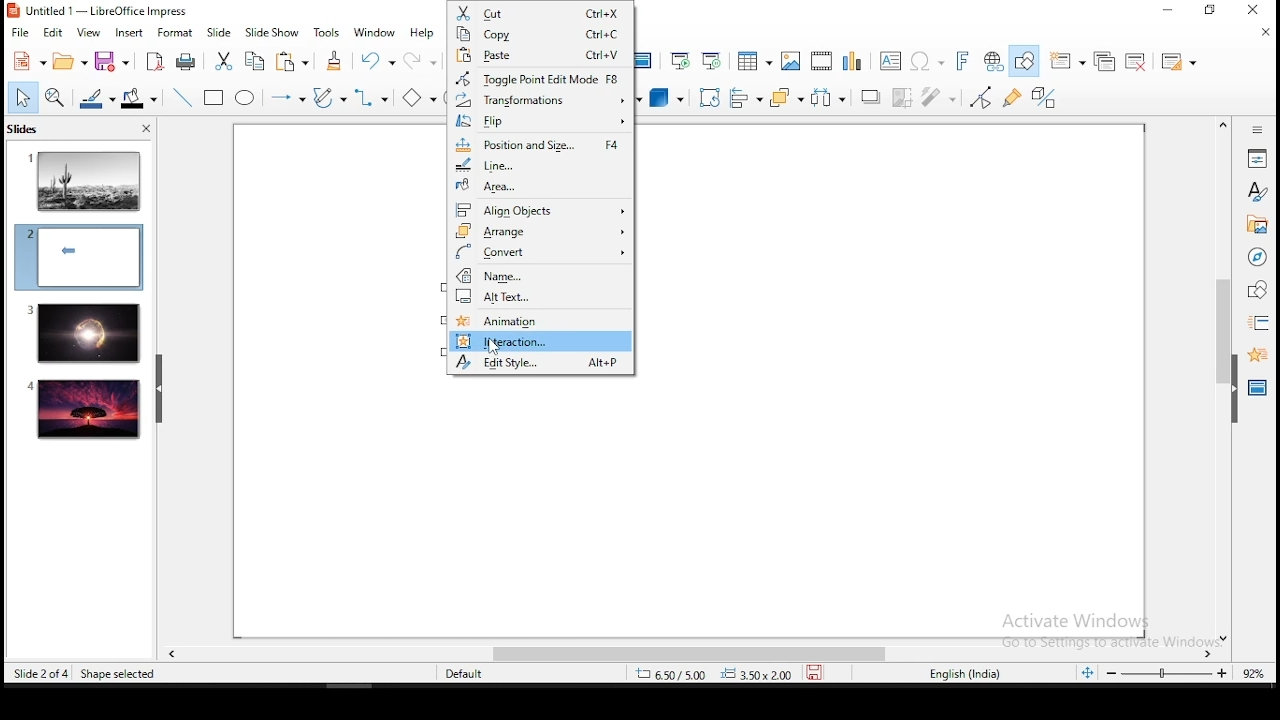 Image resolution: width=1280 pixels, height=720 pixels. Describe the element at coordinates (870, 95) in the screenshot. I see `shadow` at that location.